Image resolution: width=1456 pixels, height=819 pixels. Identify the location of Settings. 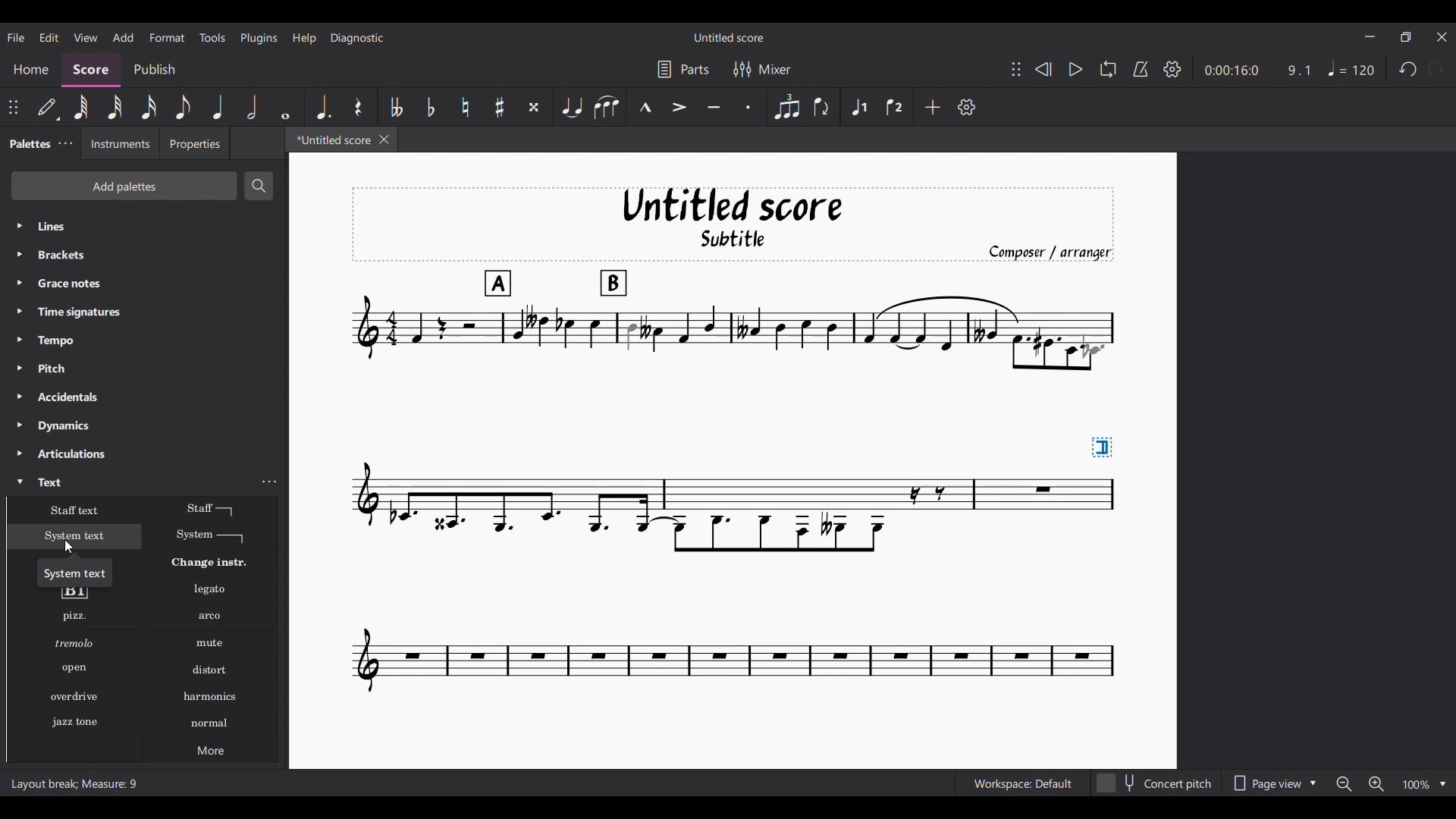
(1172, 69).